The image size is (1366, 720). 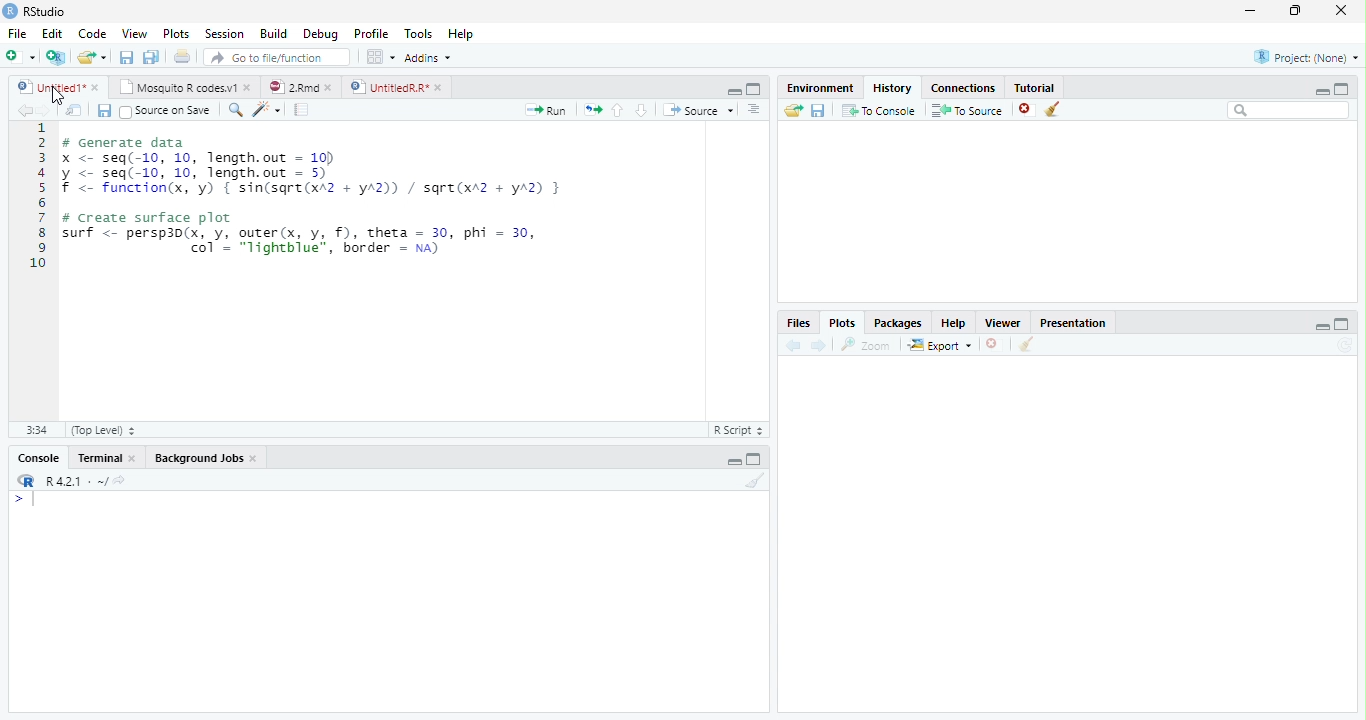 What do you see at coordinates (1034, 86) in the screenshot?
I see `Tutorial` at bounding box center [1034, 86].